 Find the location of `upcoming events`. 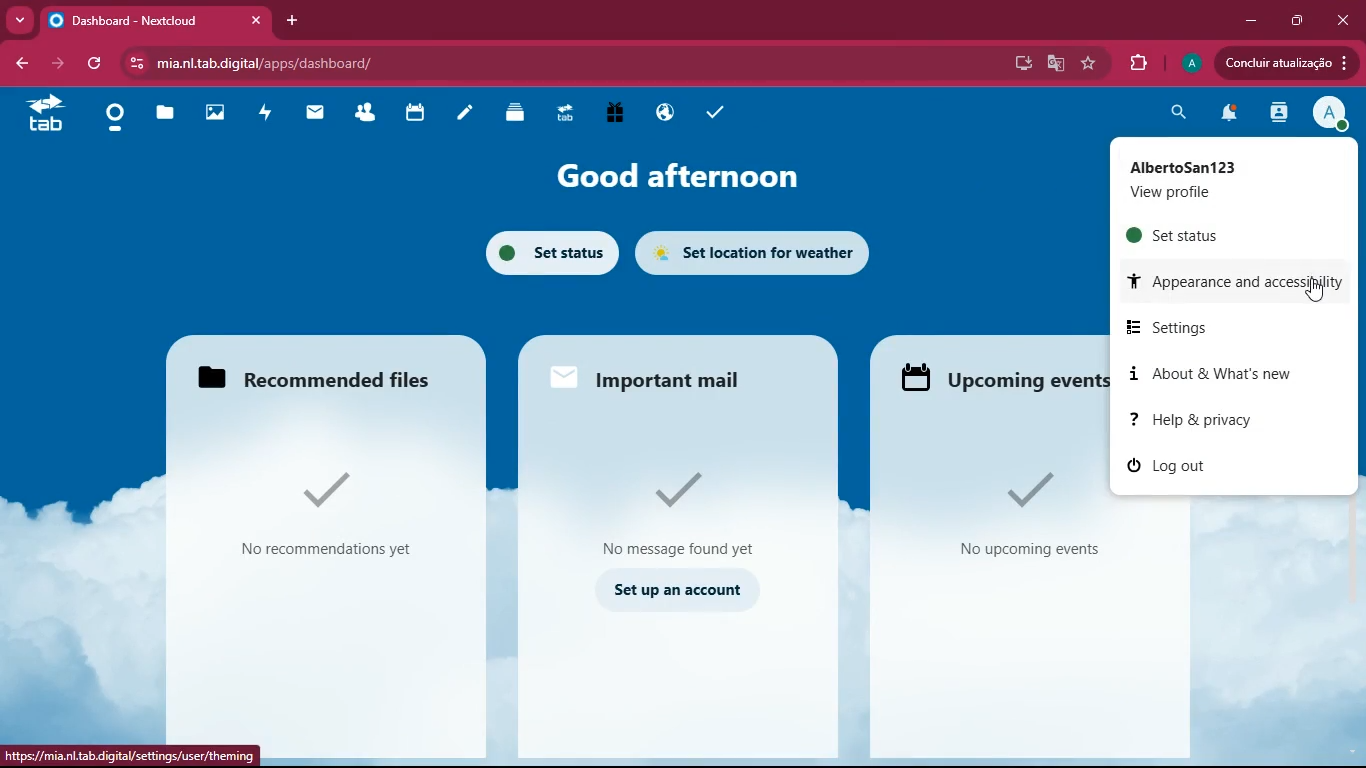

upcoming events is located at coordinates (997, 377).